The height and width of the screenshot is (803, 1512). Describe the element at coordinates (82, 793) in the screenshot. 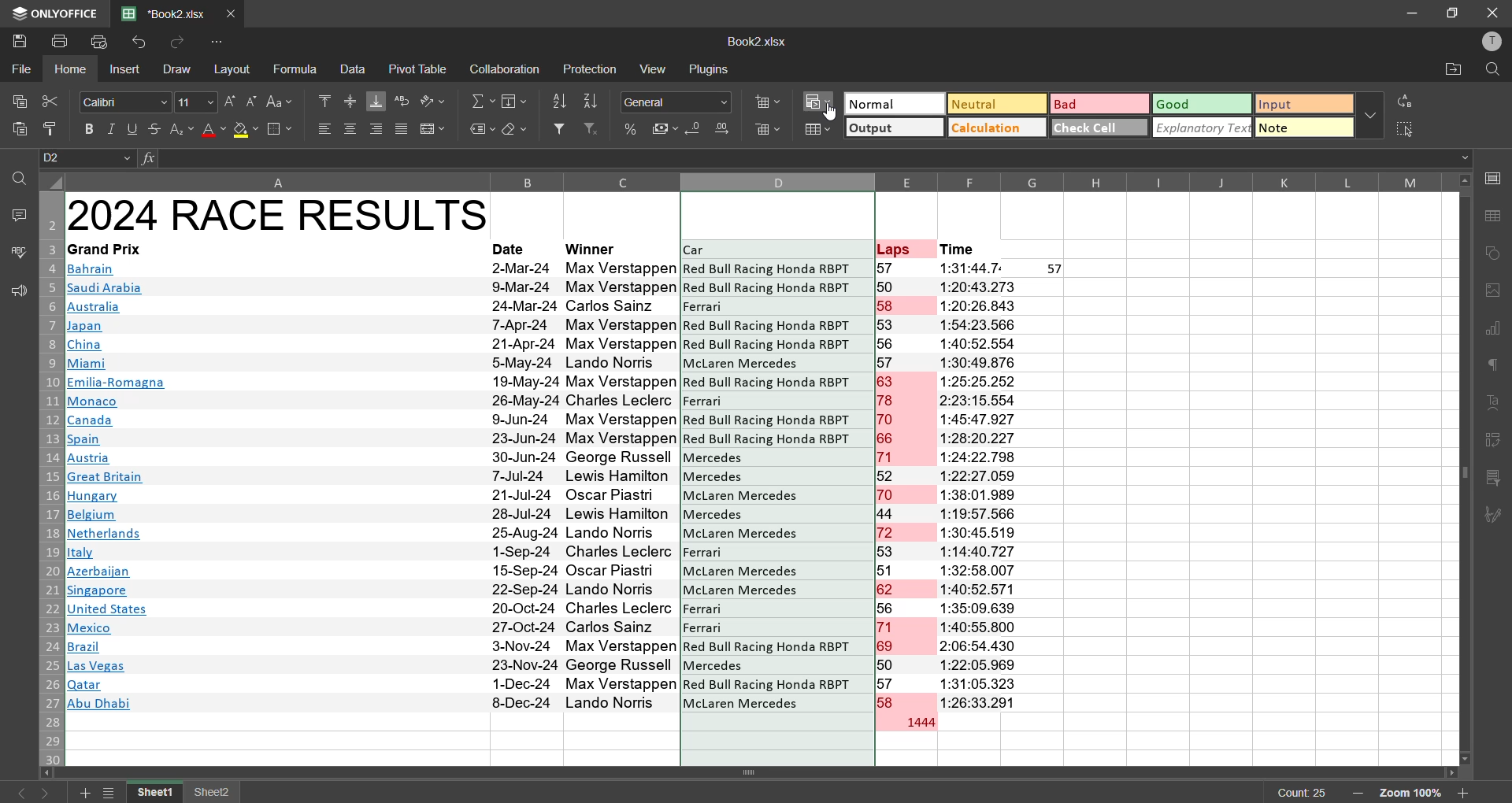

I see `add new worksheet` at that location.